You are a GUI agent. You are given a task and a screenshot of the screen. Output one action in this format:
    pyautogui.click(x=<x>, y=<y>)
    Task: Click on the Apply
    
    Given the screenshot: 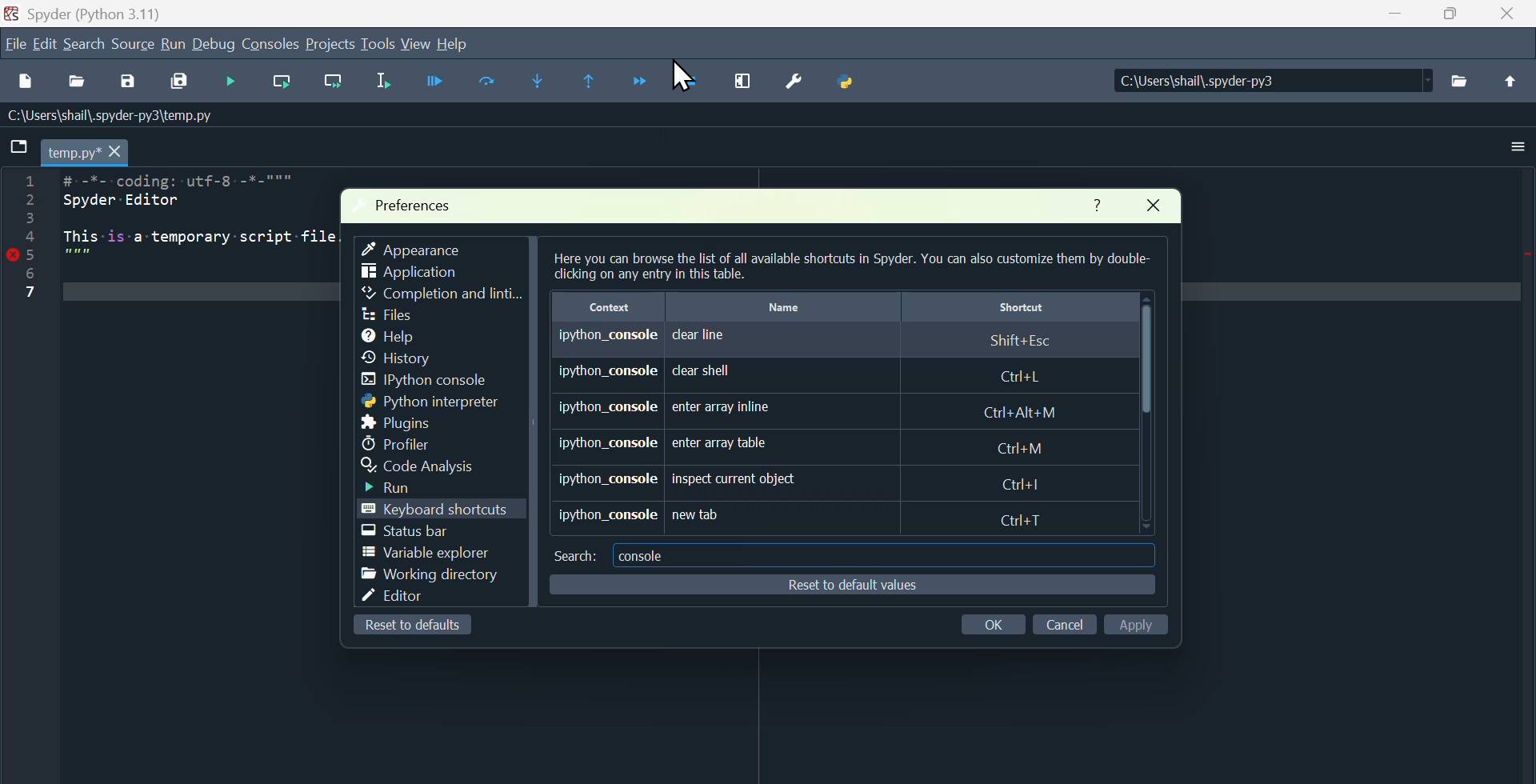 What is the action you would take?
    pyautogui.click(x=1136, y=621)
    